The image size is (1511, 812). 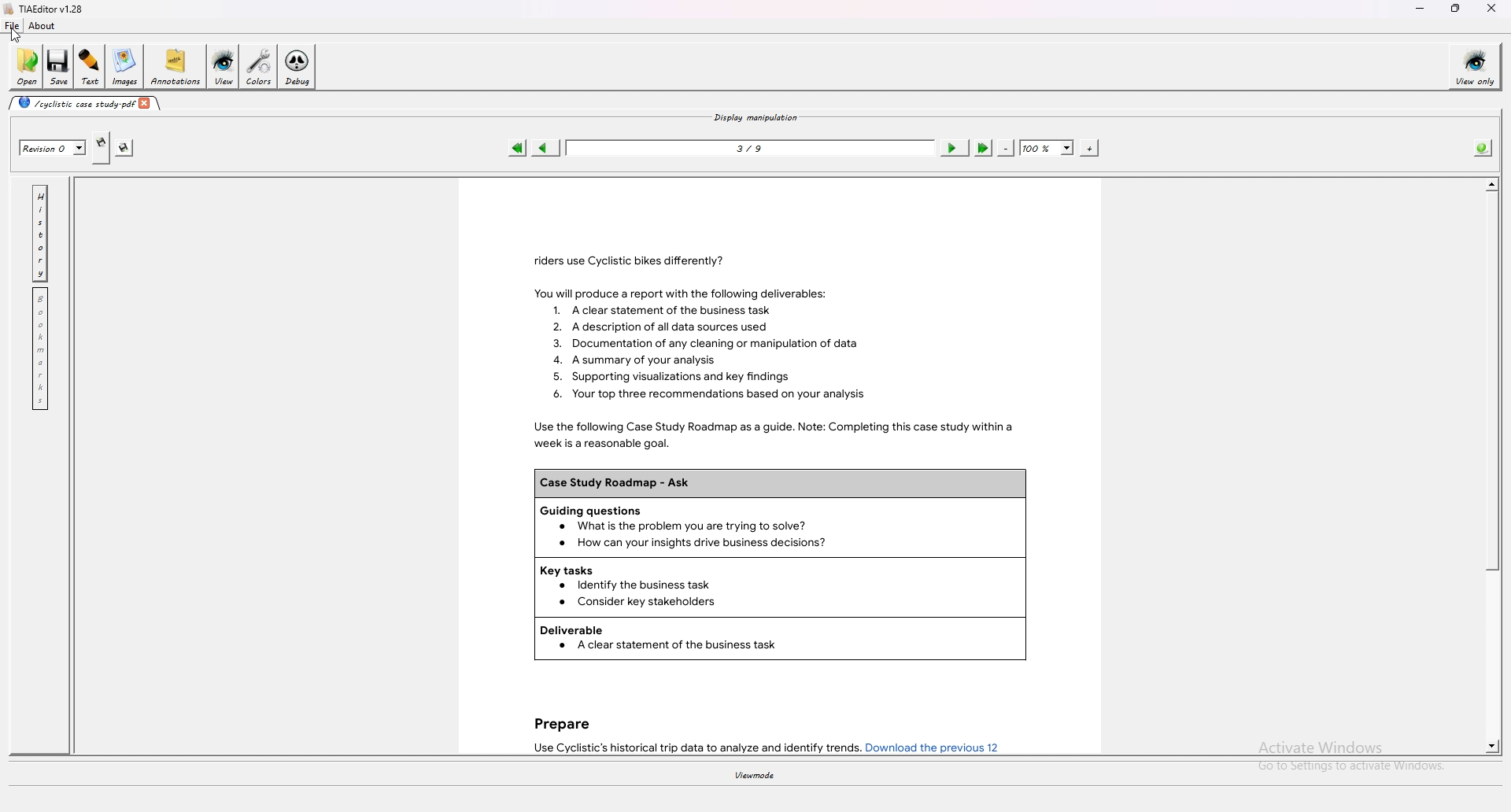 What do you see at coordinates (1457, 8) in the screenshot?
I see `resize` at bounding box center [1457, 8].